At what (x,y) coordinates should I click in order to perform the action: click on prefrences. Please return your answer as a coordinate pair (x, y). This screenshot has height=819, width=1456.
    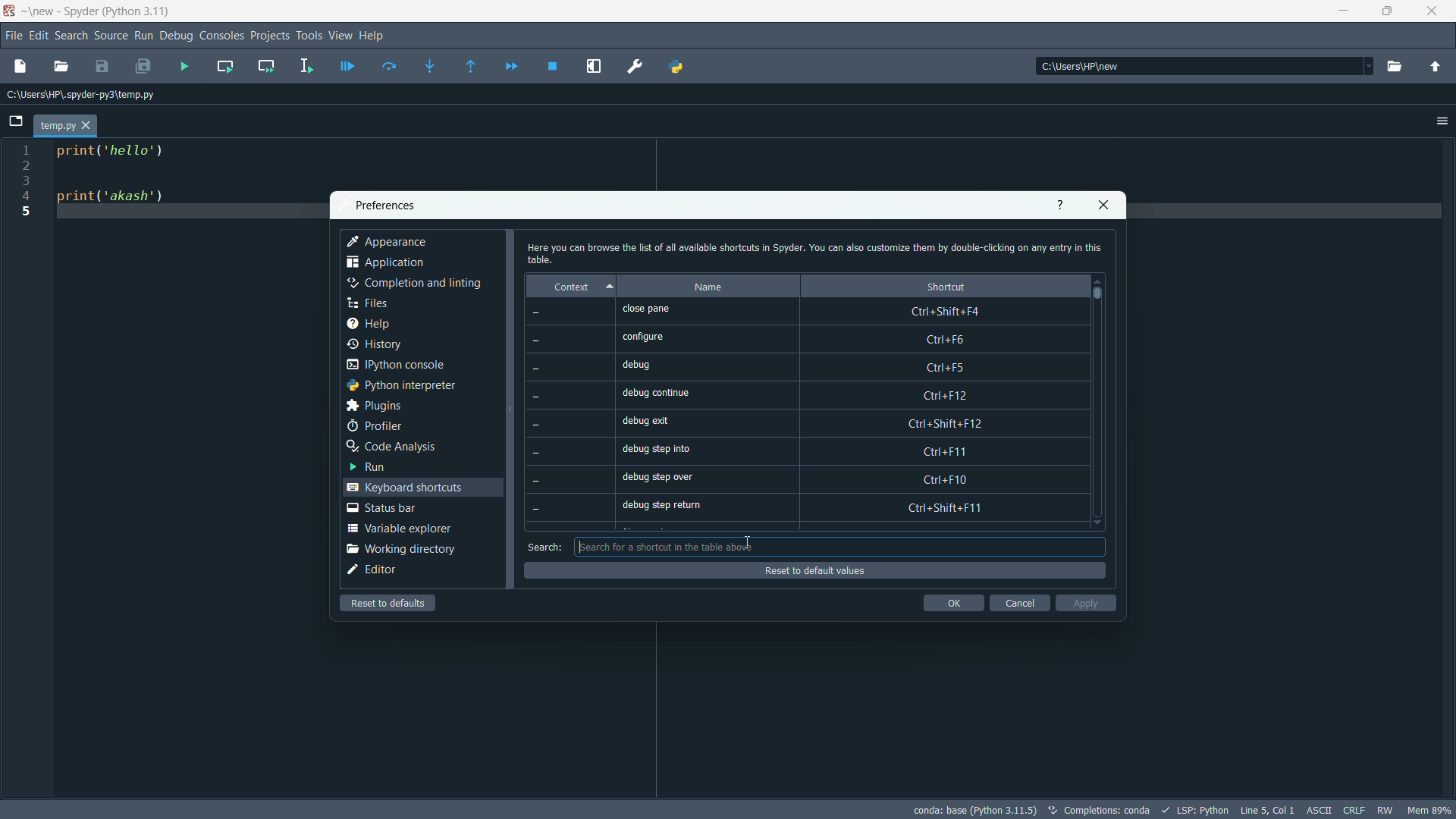
    Looking at the image, I should click on (385, 206).